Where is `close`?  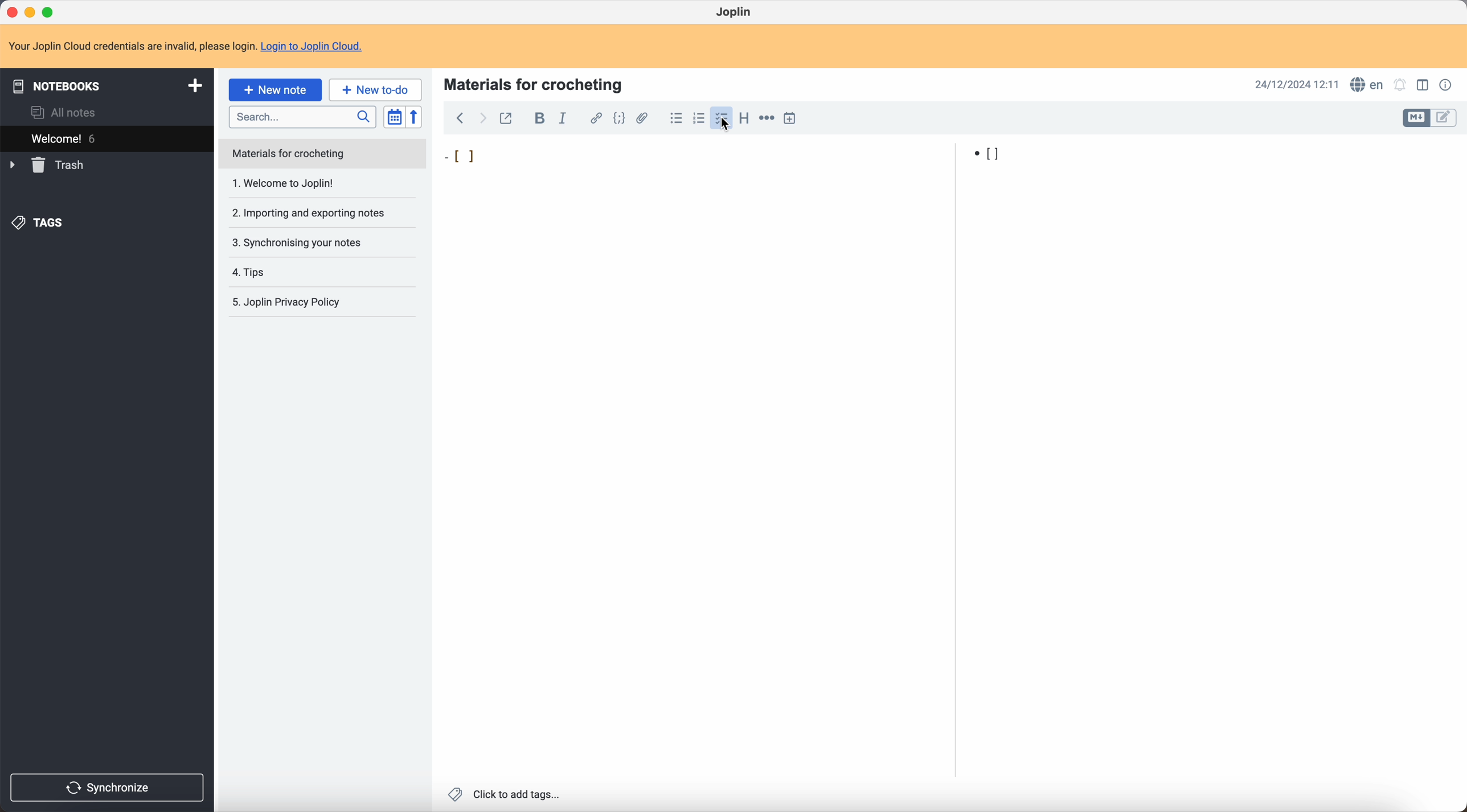
close is located at coordinates (14, 12).